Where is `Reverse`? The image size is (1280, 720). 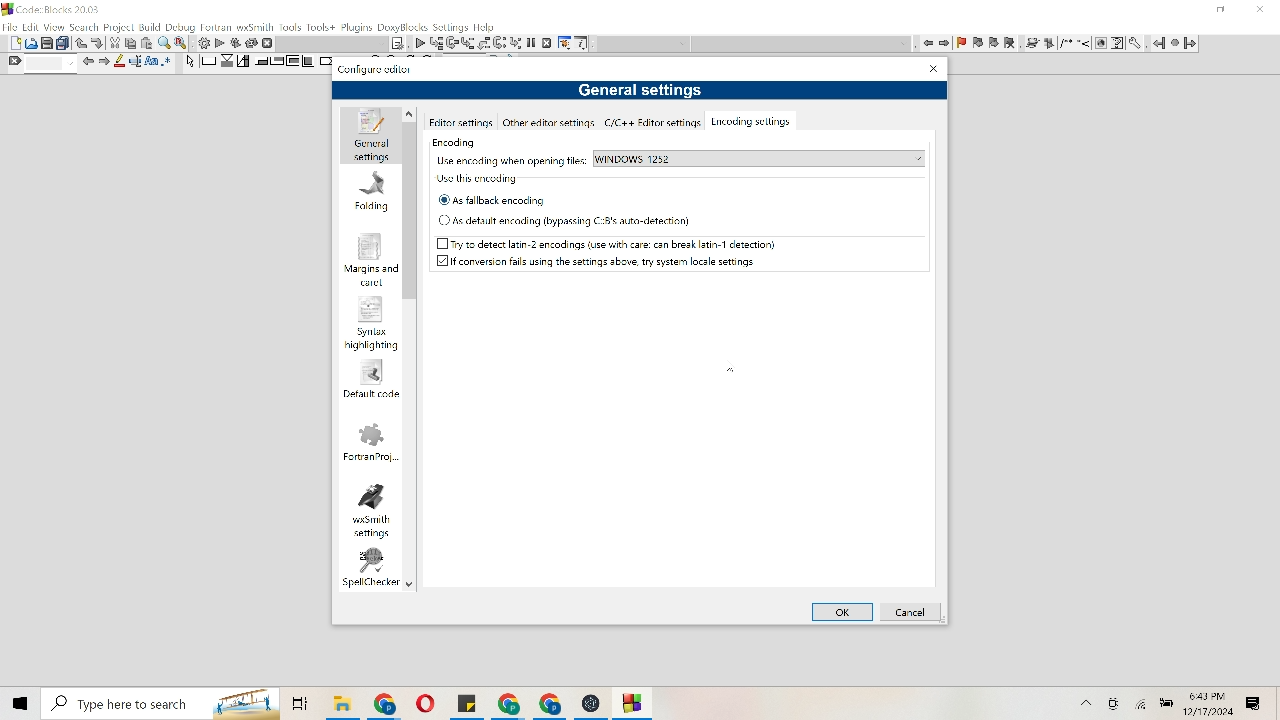 Reverse is located at coordinates (243, 43).